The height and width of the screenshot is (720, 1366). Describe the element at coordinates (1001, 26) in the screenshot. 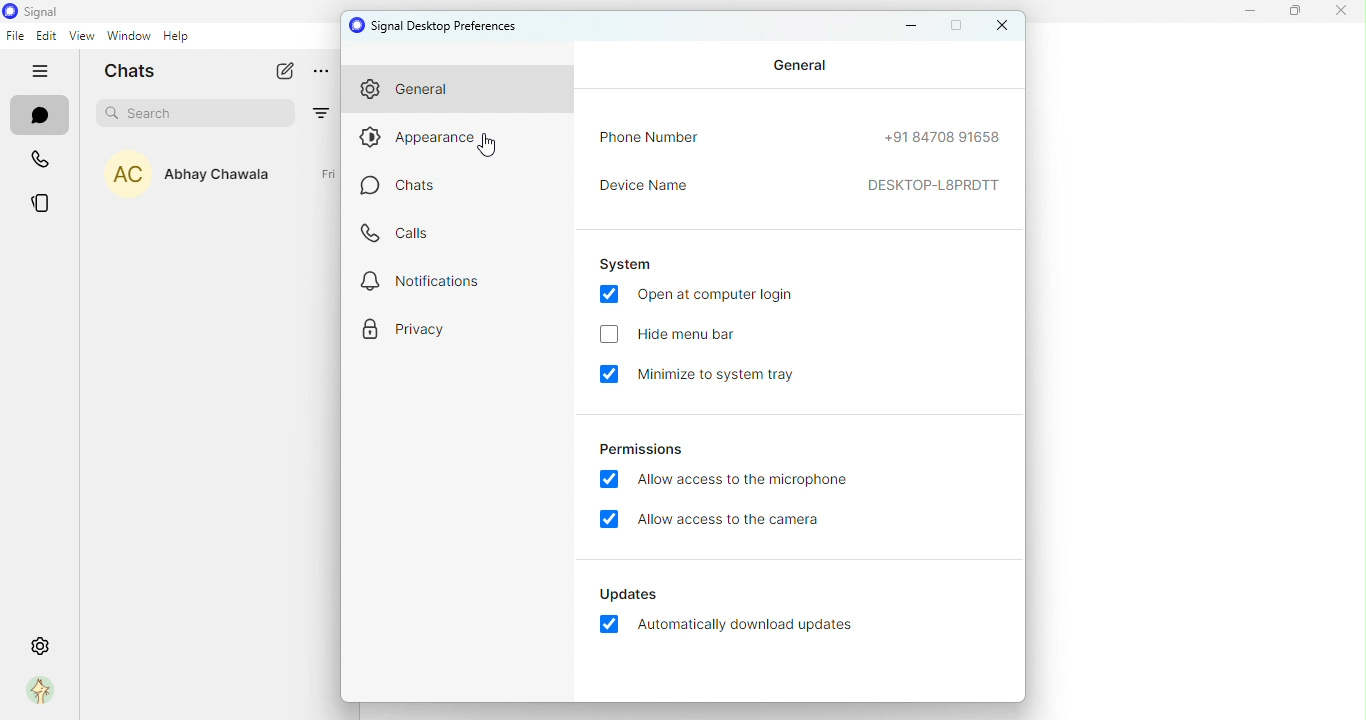

I see `close` at that location.